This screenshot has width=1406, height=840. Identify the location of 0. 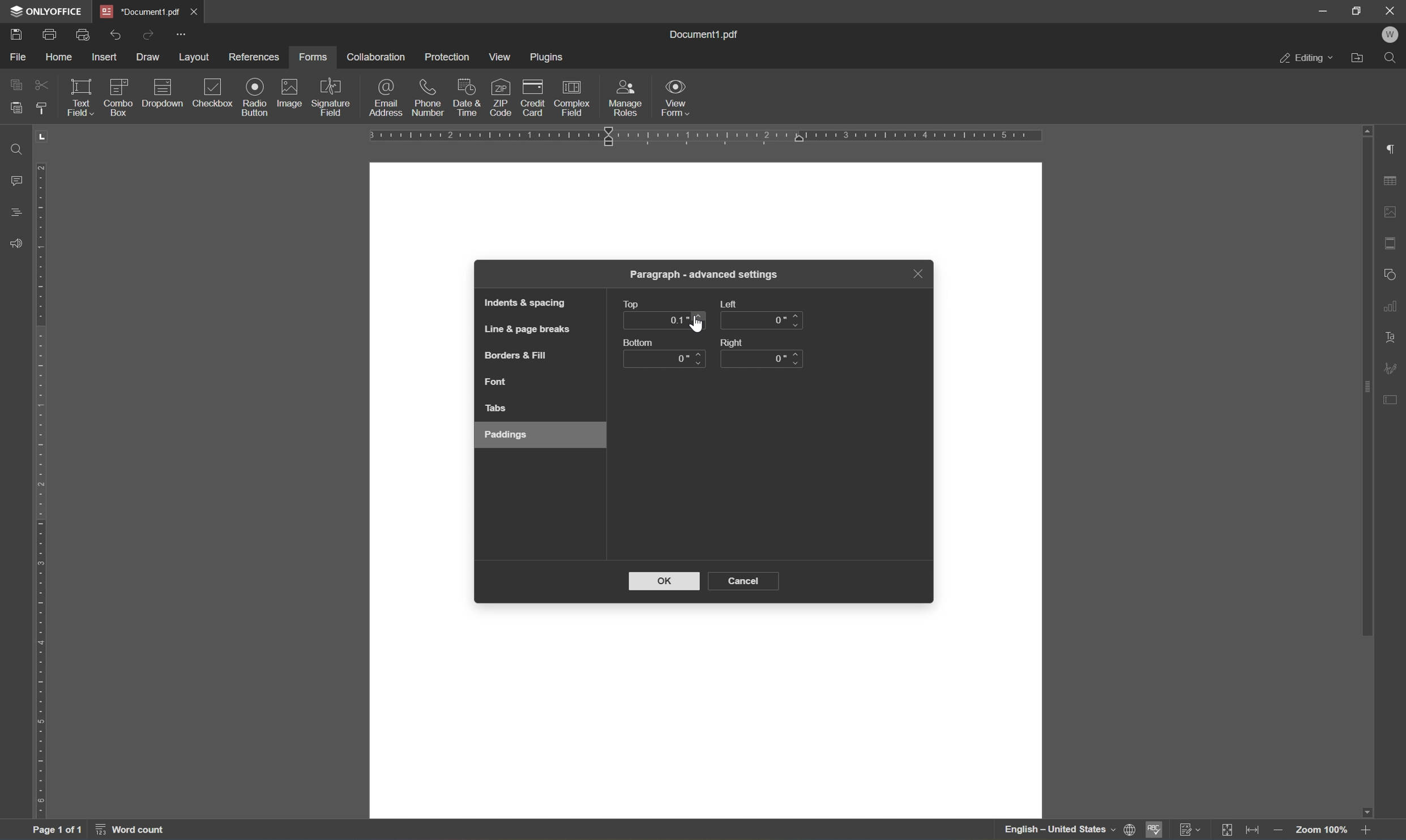
(784, 319).